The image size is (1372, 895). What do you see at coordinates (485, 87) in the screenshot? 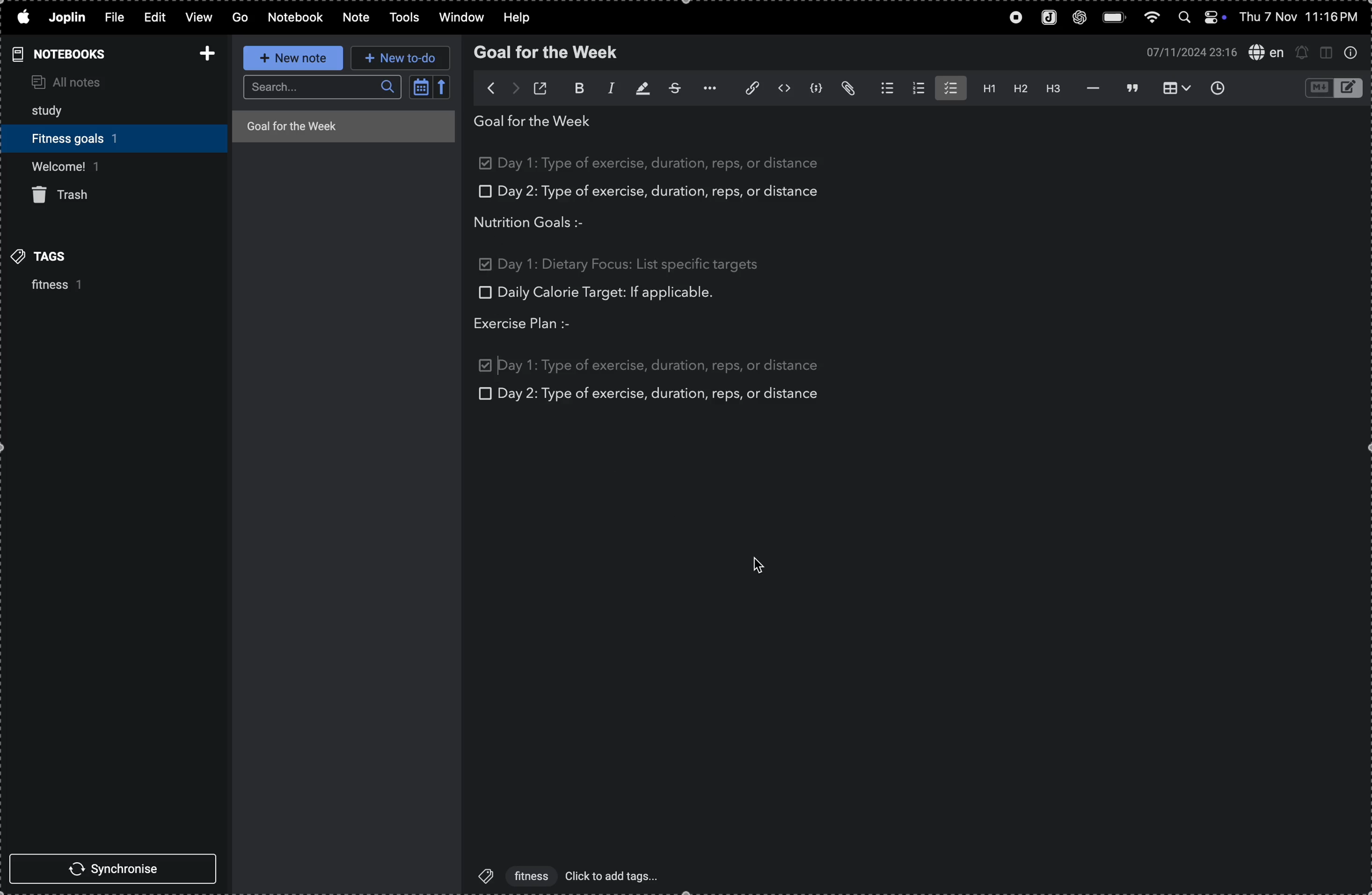
I see `back` at bounding box center [485, 87].